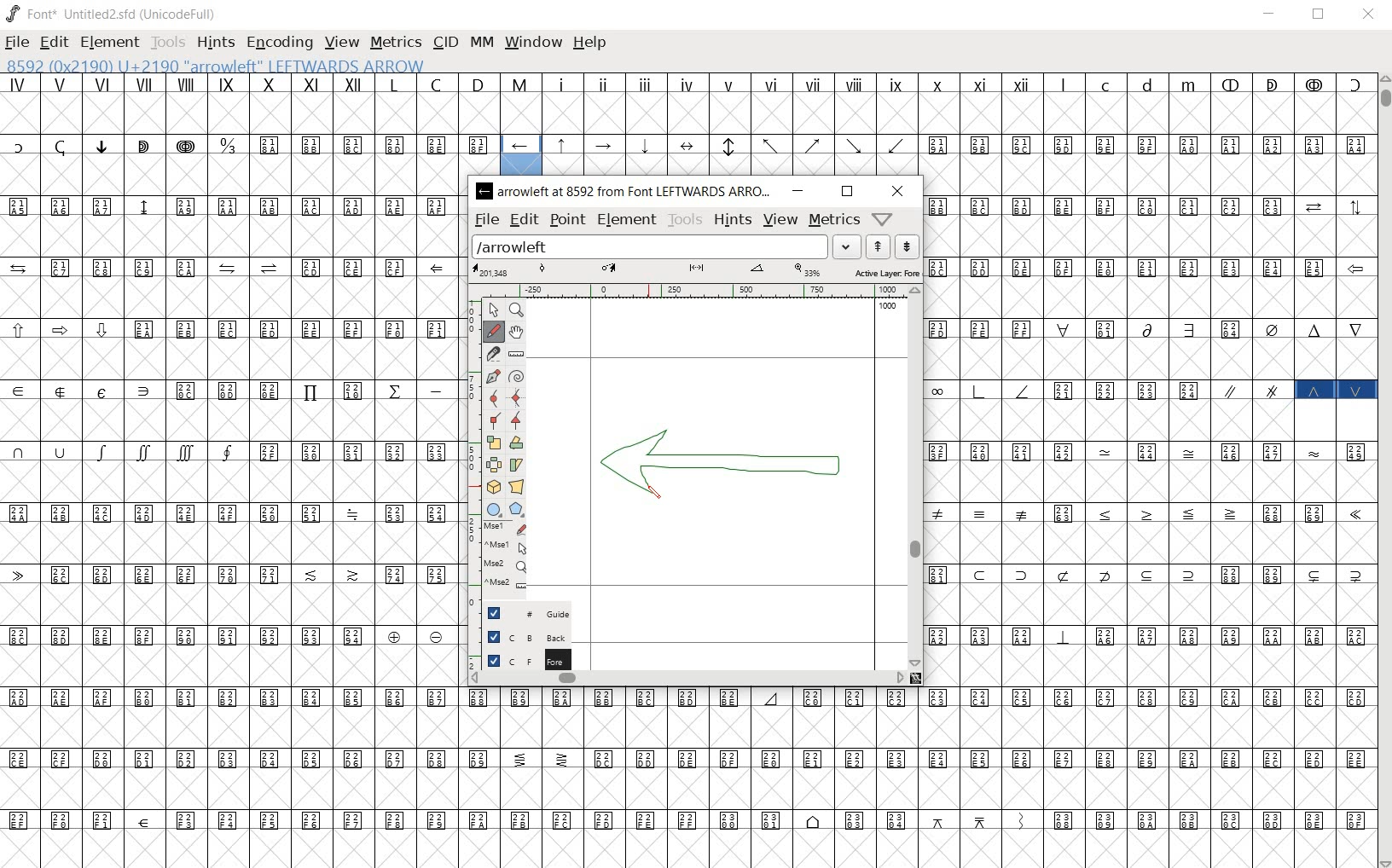 This screenshot has width=1392, height=868. What do you see at coordinates (515, 485) in the screenshot?
I see `perform a perspective transformation on the selection` at bounding box center [515, 485].